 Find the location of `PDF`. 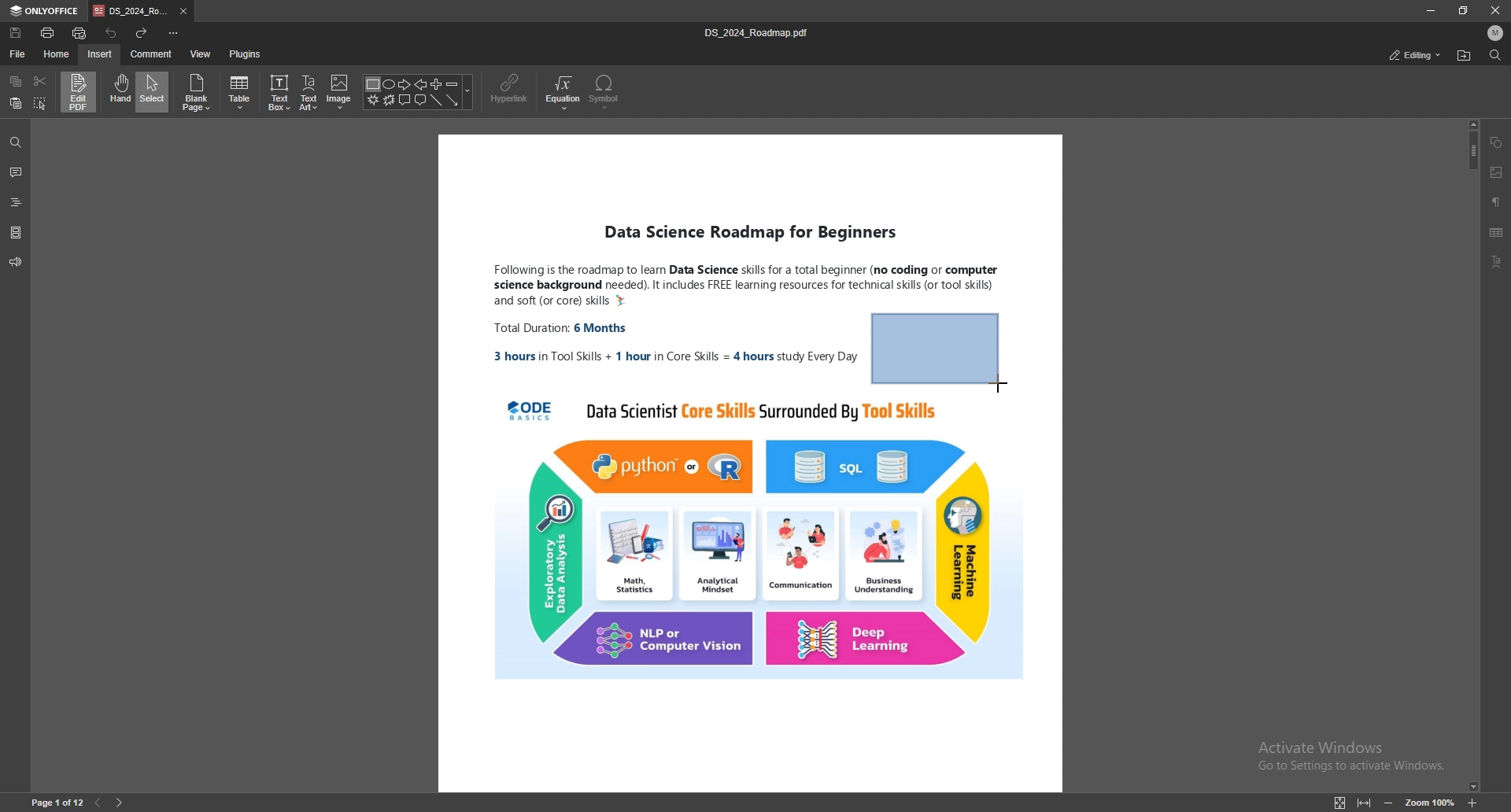

PDF is located at coordinates (940, 223).